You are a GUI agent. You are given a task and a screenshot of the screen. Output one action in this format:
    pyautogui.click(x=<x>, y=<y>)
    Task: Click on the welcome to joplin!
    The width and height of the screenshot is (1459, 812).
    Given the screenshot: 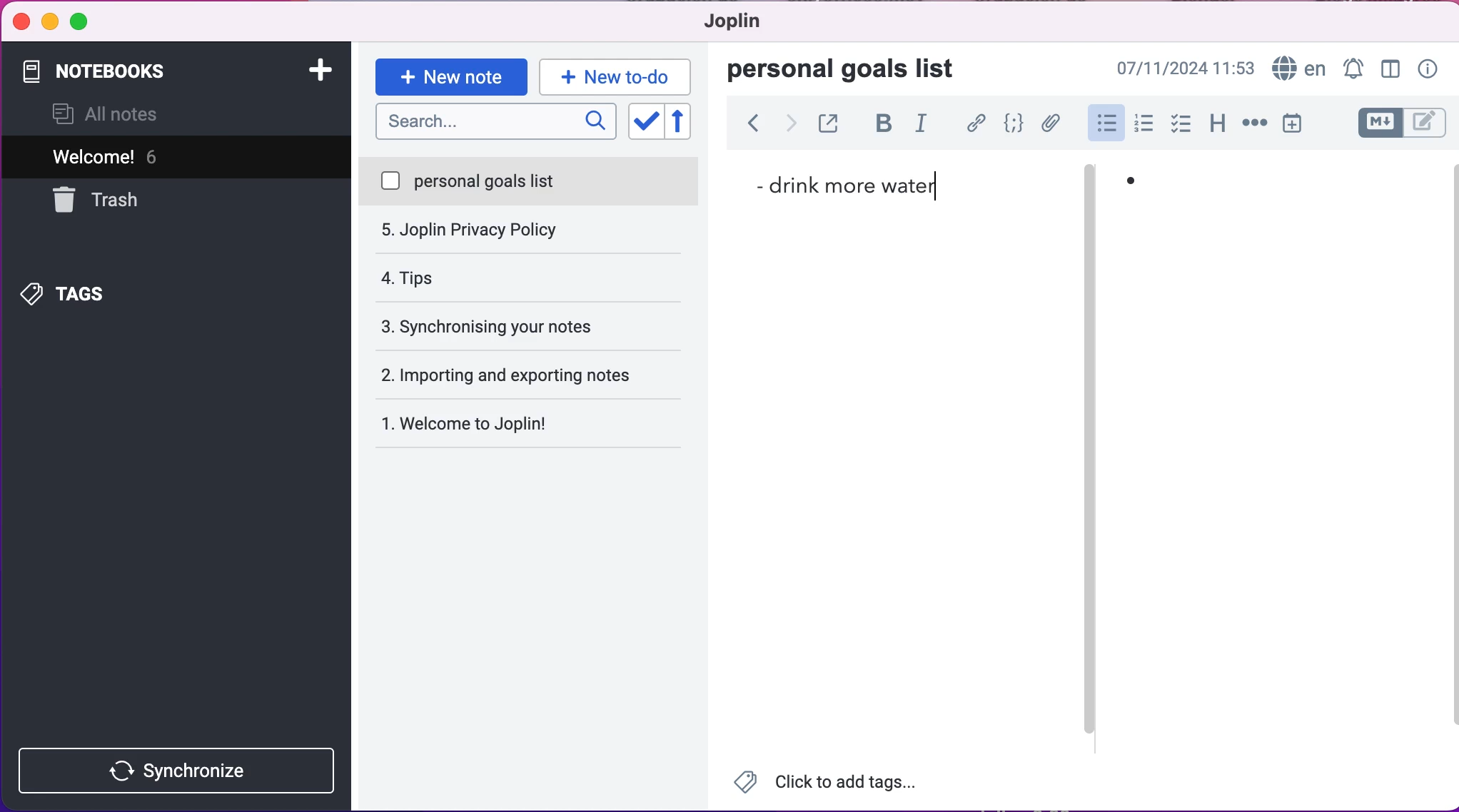 What is the action you would take?
    pyautogui.click(x=495, y=377)
    